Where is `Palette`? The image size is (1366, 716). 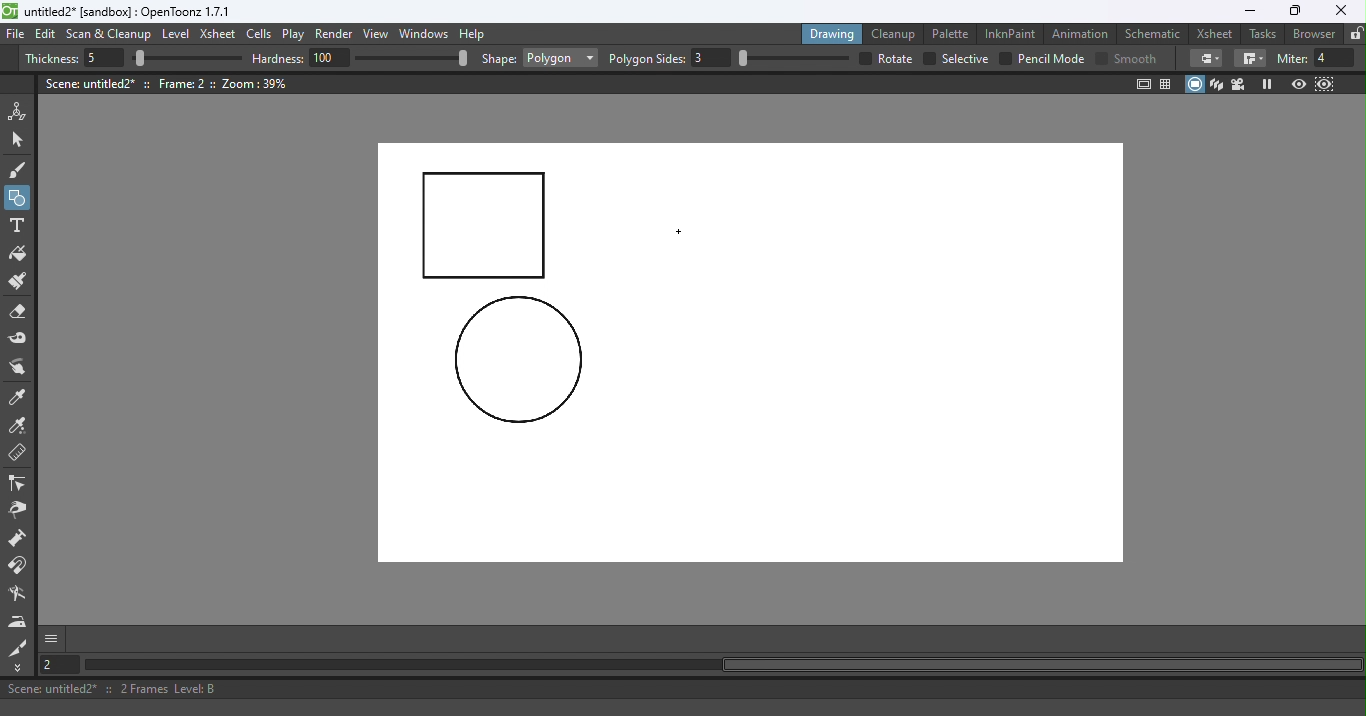 Palette is located at coordinates (953, 33).